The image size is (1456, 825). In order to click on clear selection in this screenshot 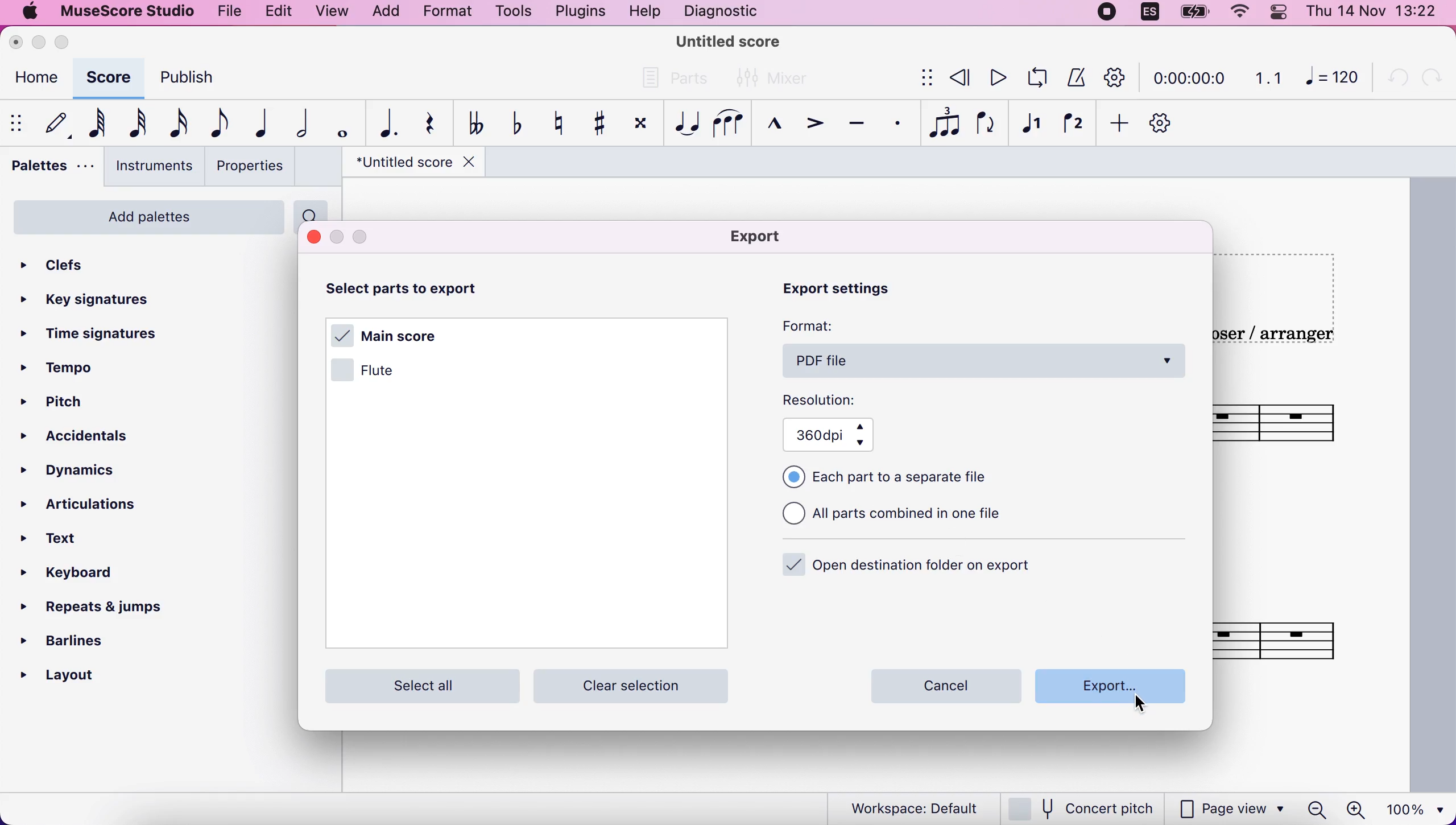, I will do `click(639, 685)`.